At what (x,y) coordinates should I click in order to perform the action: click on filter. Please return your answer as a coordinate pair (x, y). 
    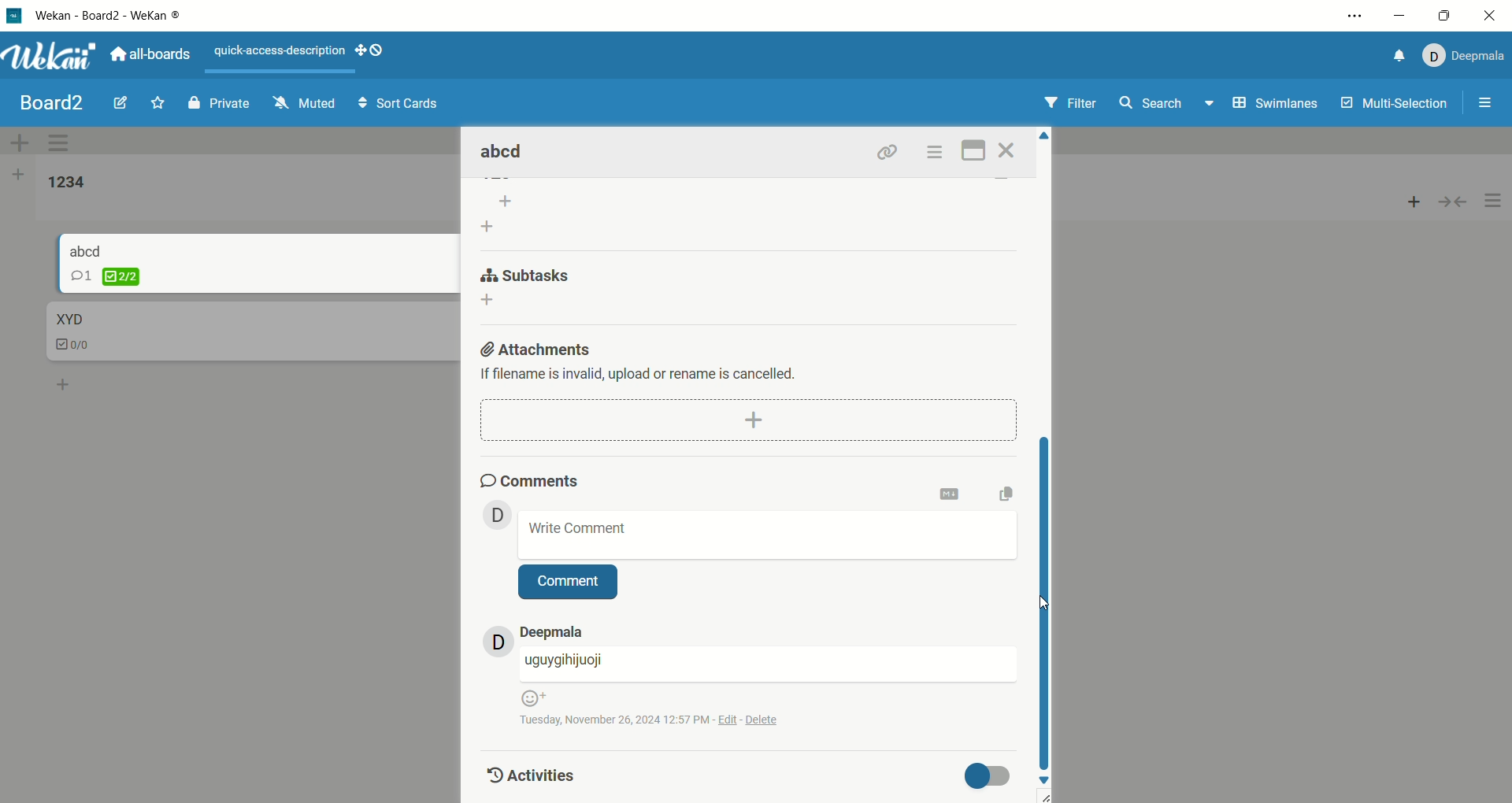
    Looking at the image, I should click on (1072, 102).